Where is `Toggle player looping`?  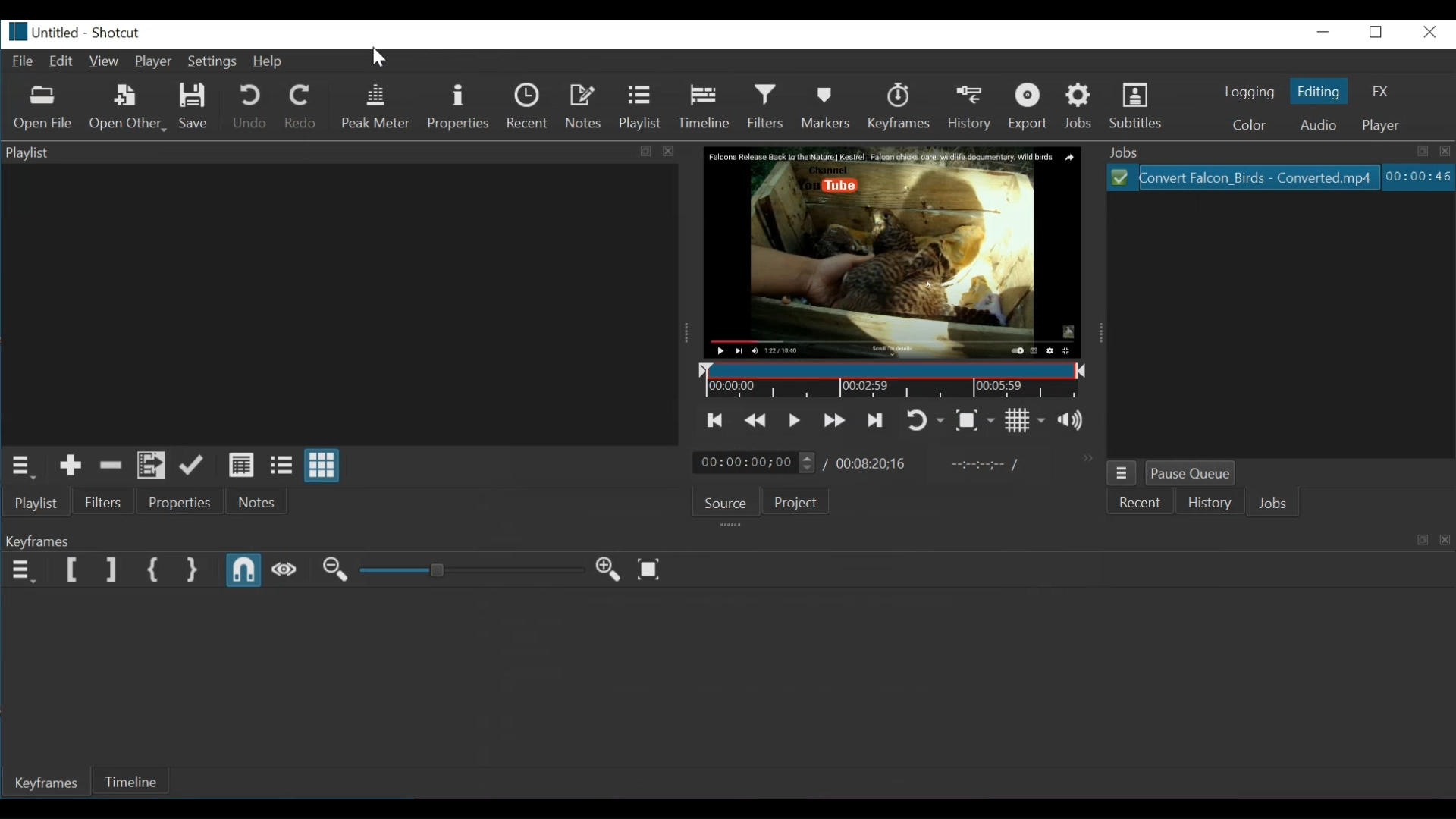 Toggle player looping is located at coordinates (926, 420).